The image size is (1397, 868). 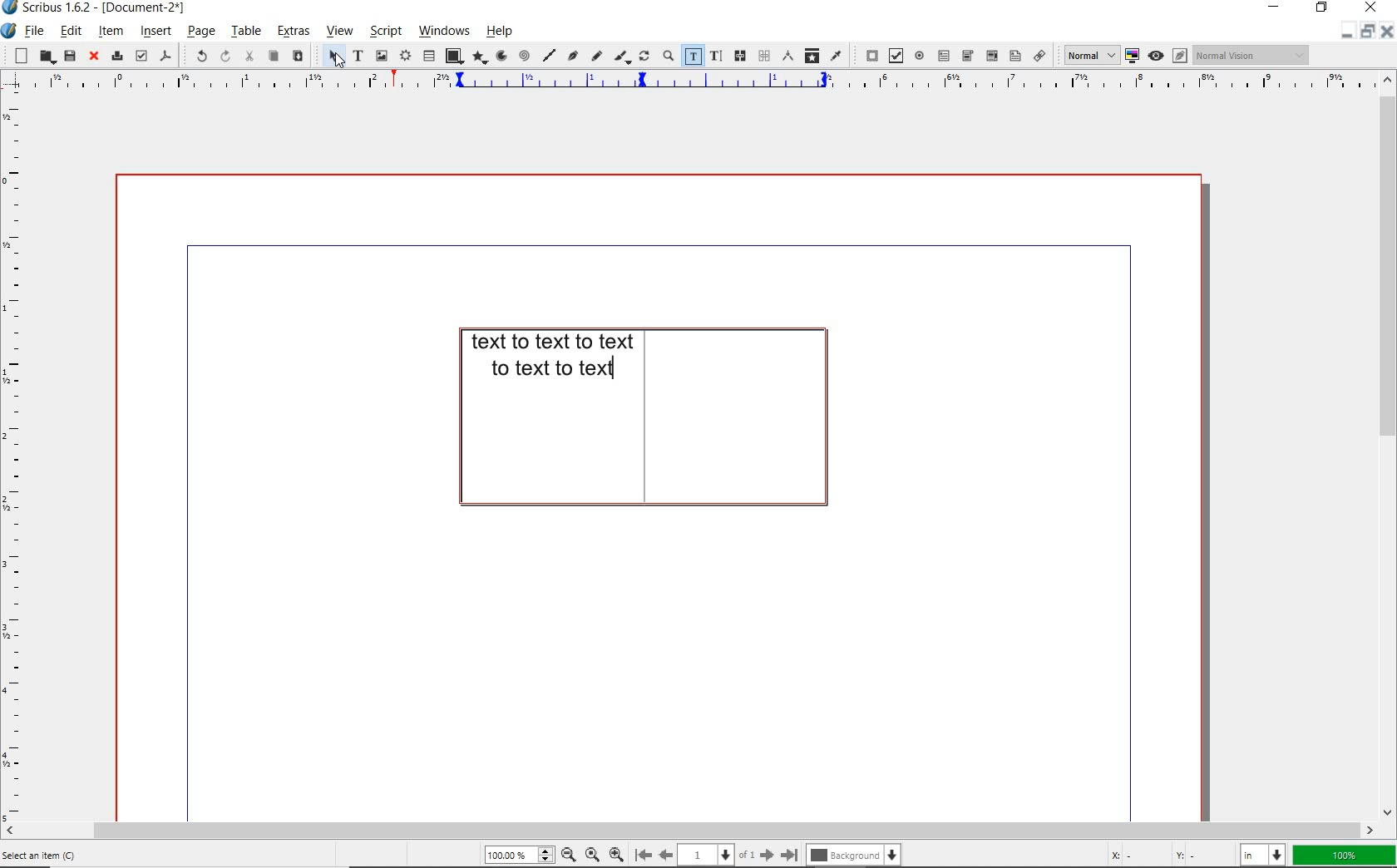 I want to click on arc, so click(x=499, y=57).